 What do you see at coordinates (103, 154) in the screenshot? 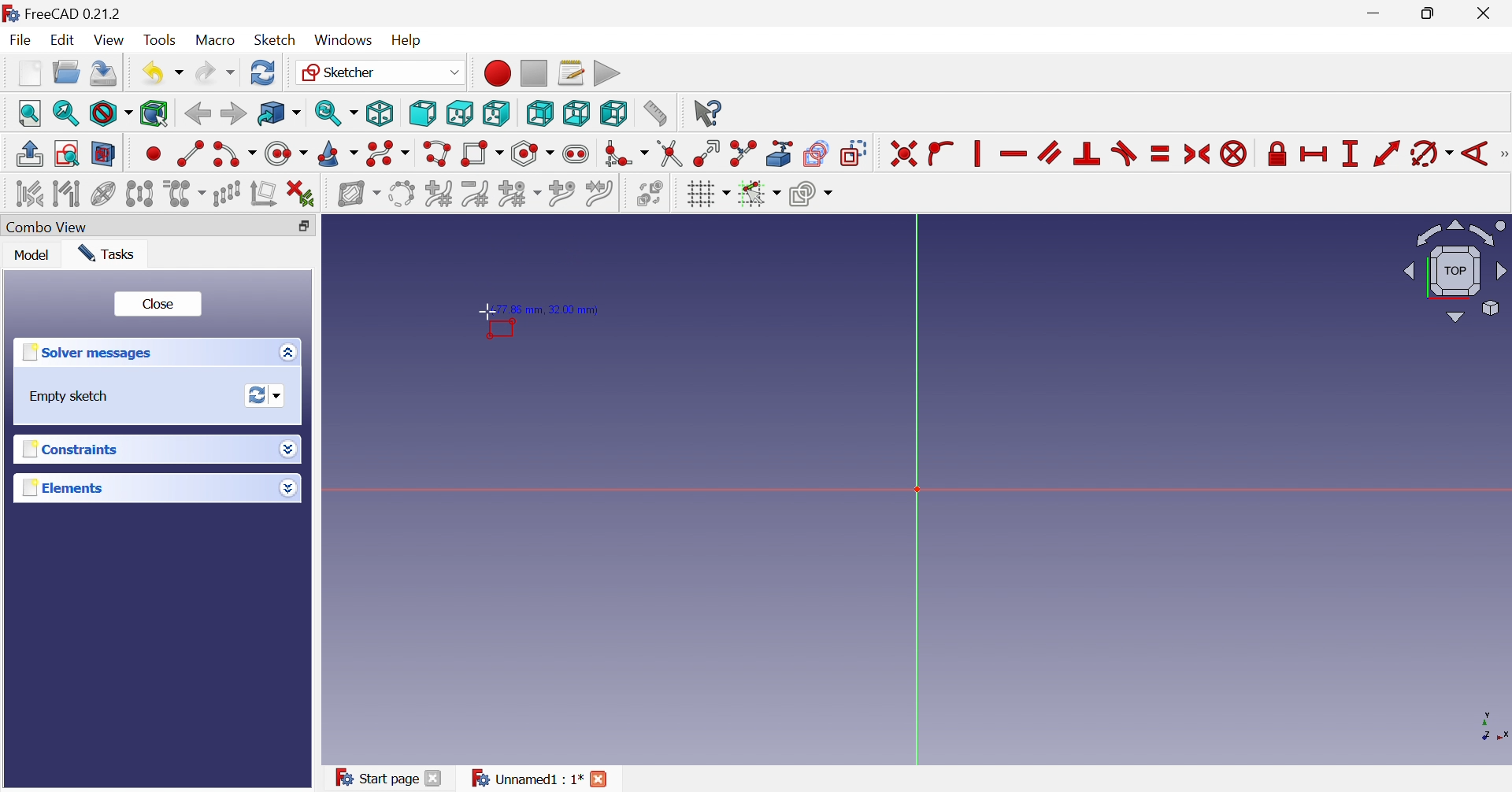
I see `View section` at bounding box center [103, 154].